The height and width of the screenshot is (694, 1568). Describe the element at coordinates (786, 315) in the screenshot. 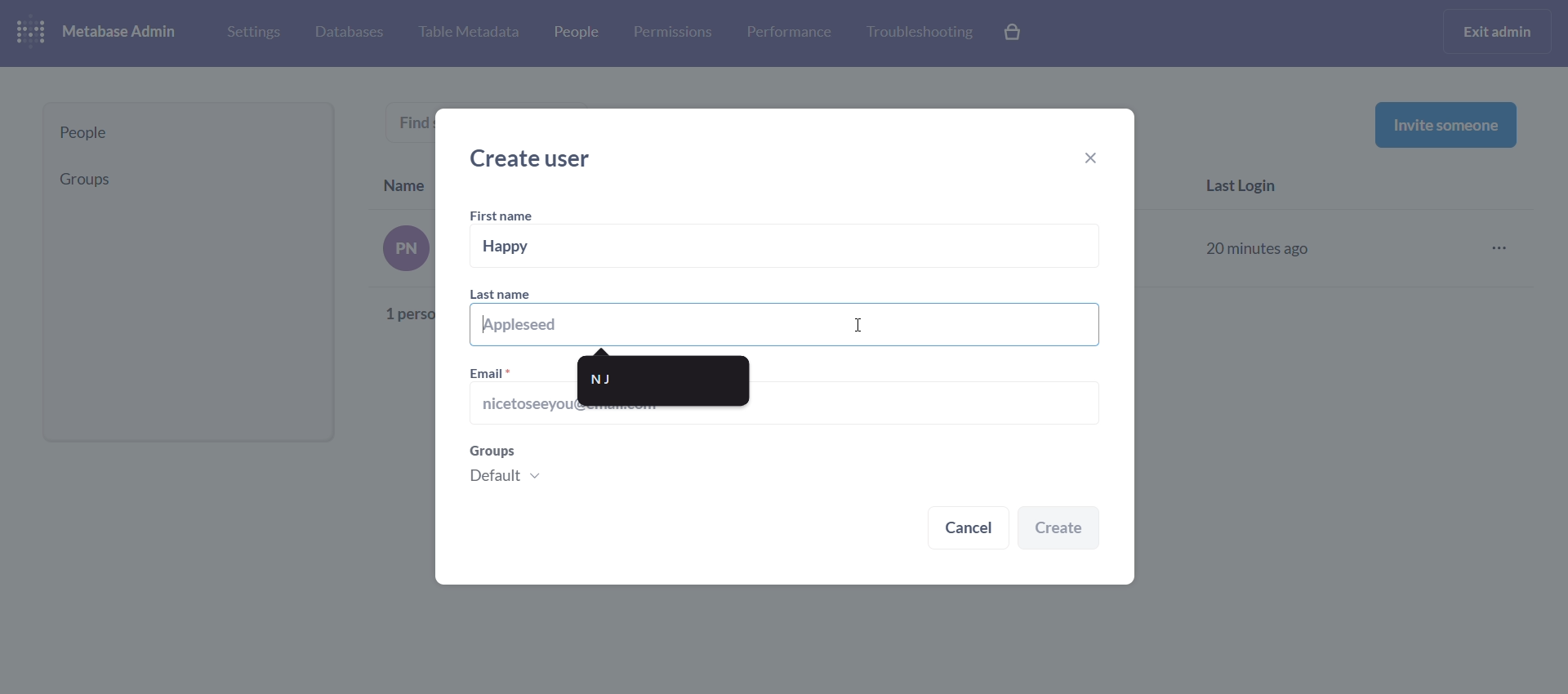

I see `last name` at that location.